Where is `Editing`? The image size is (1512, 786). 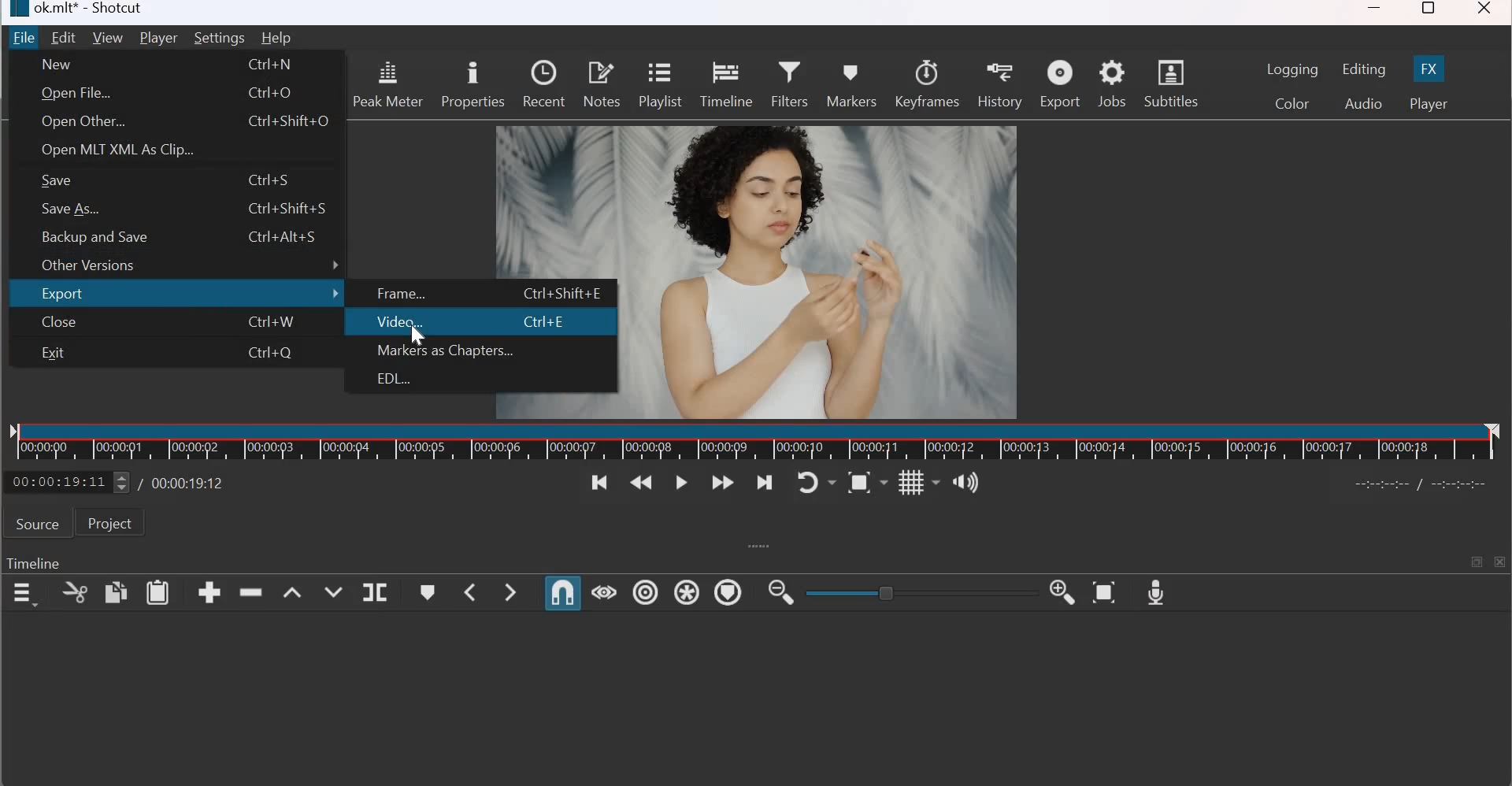
Editing is located at coordinates (1364, 69).